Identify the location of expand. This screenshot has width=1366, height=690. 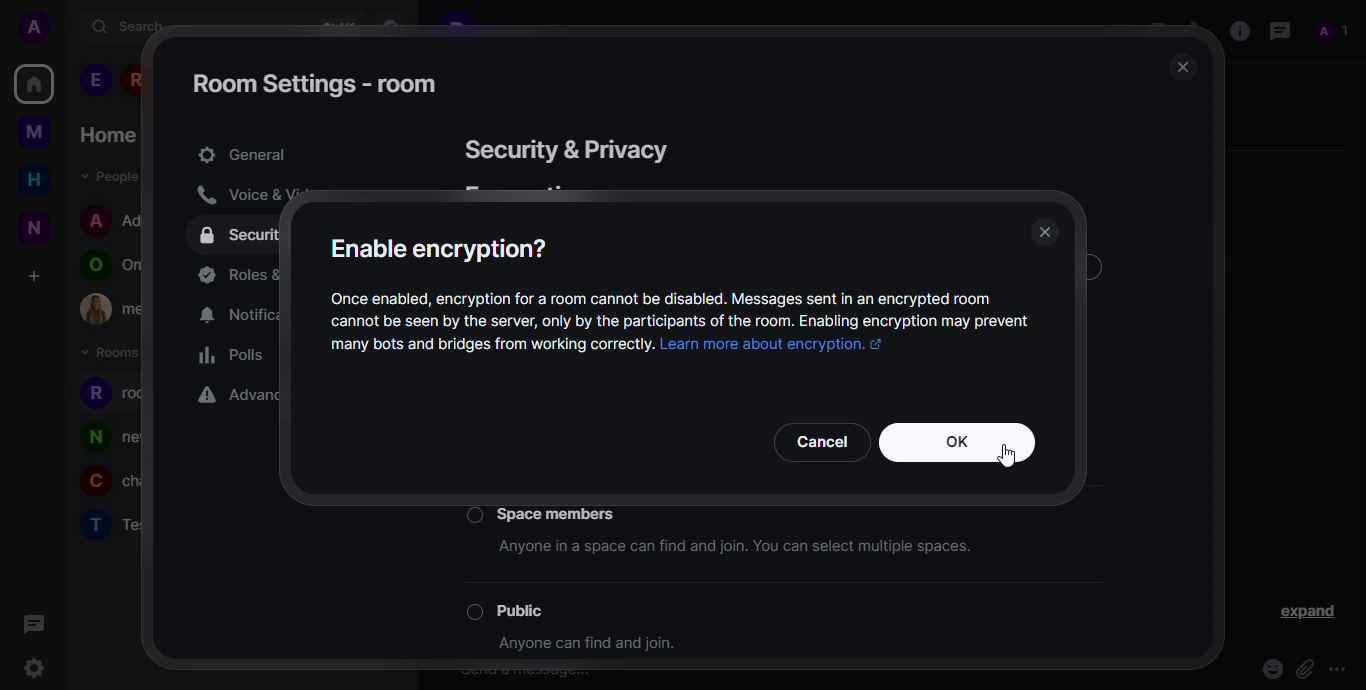
(1310, 613).